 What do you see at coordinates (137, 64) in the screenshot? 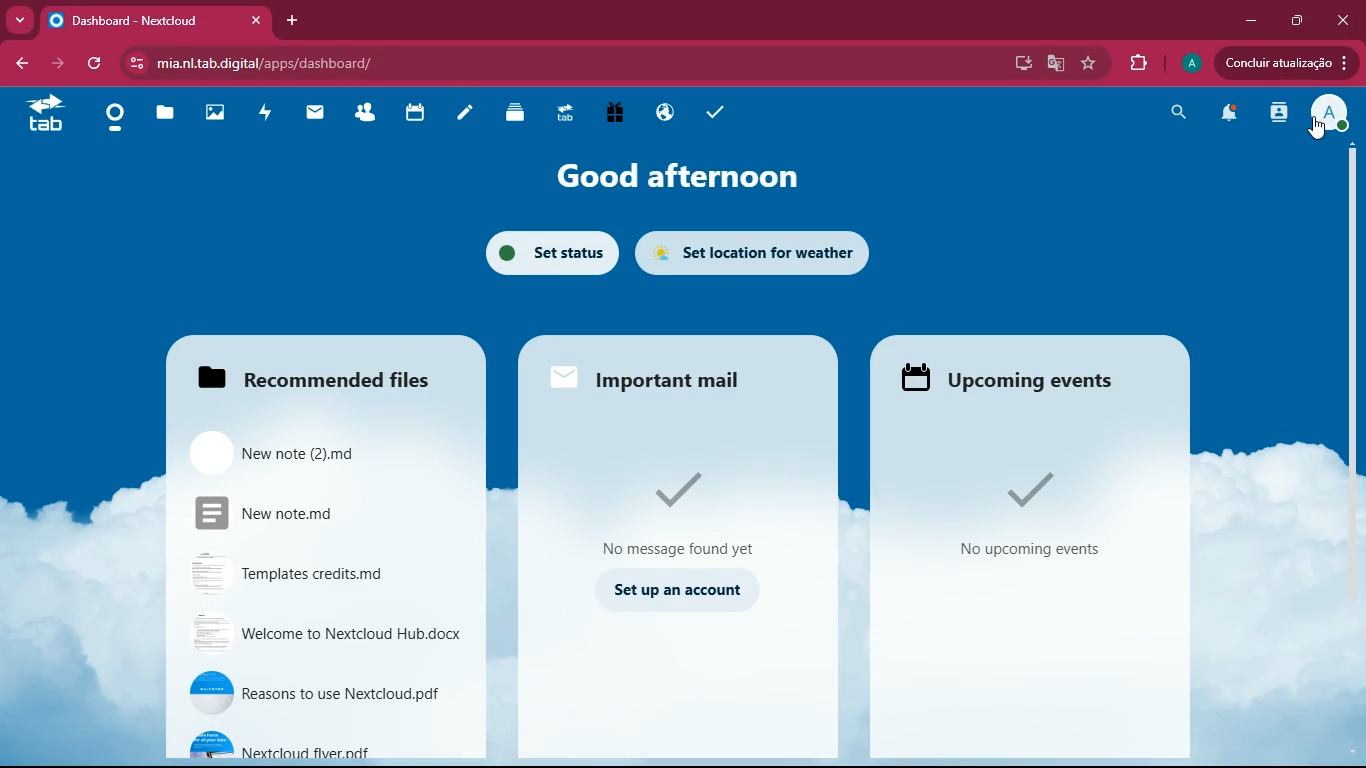
I see `View site information` at bounding box center [137, 64].